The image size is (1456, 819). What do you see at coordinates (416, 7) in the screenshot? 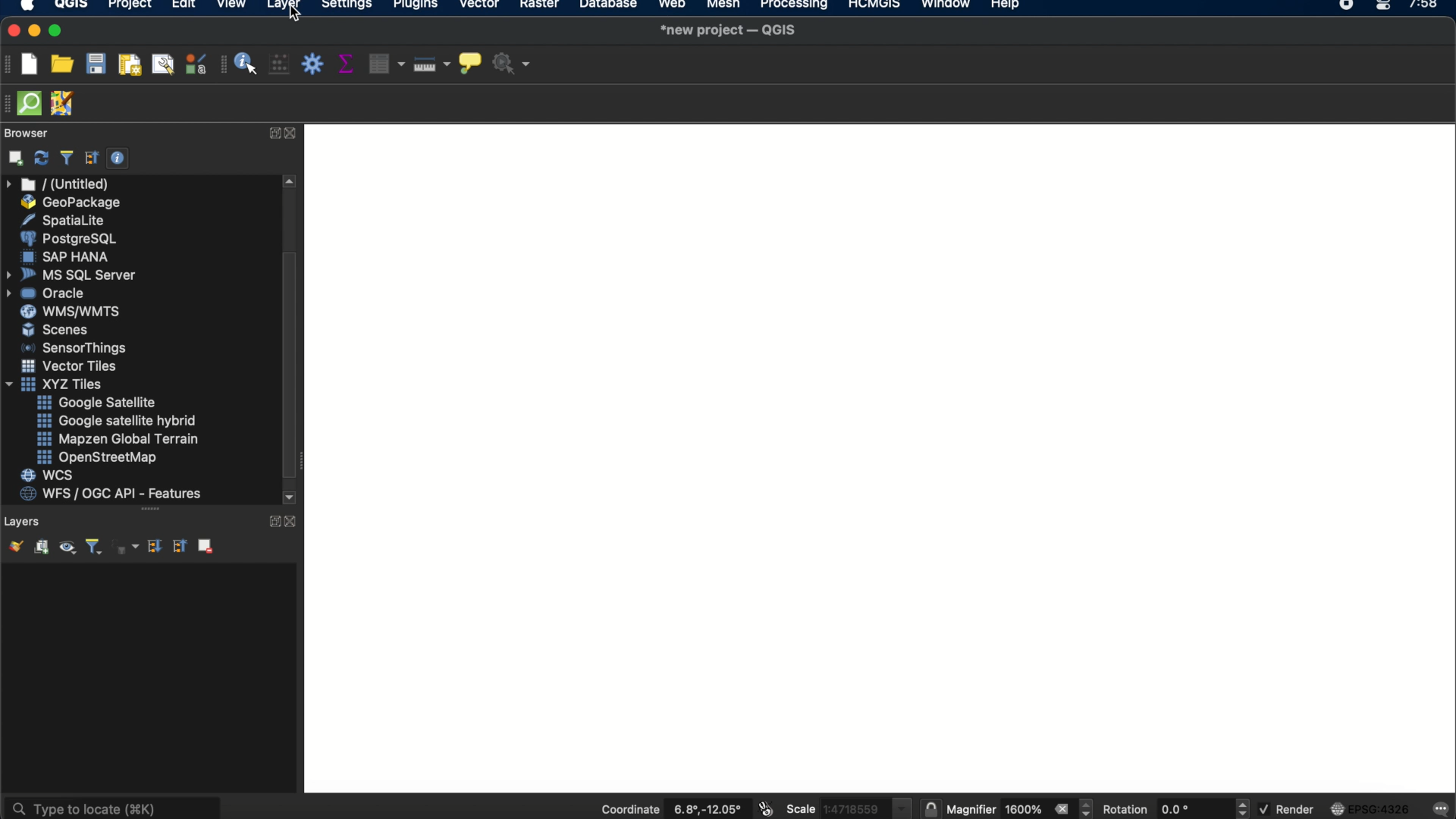
I see `plugins` at bounding box center [416, 7].